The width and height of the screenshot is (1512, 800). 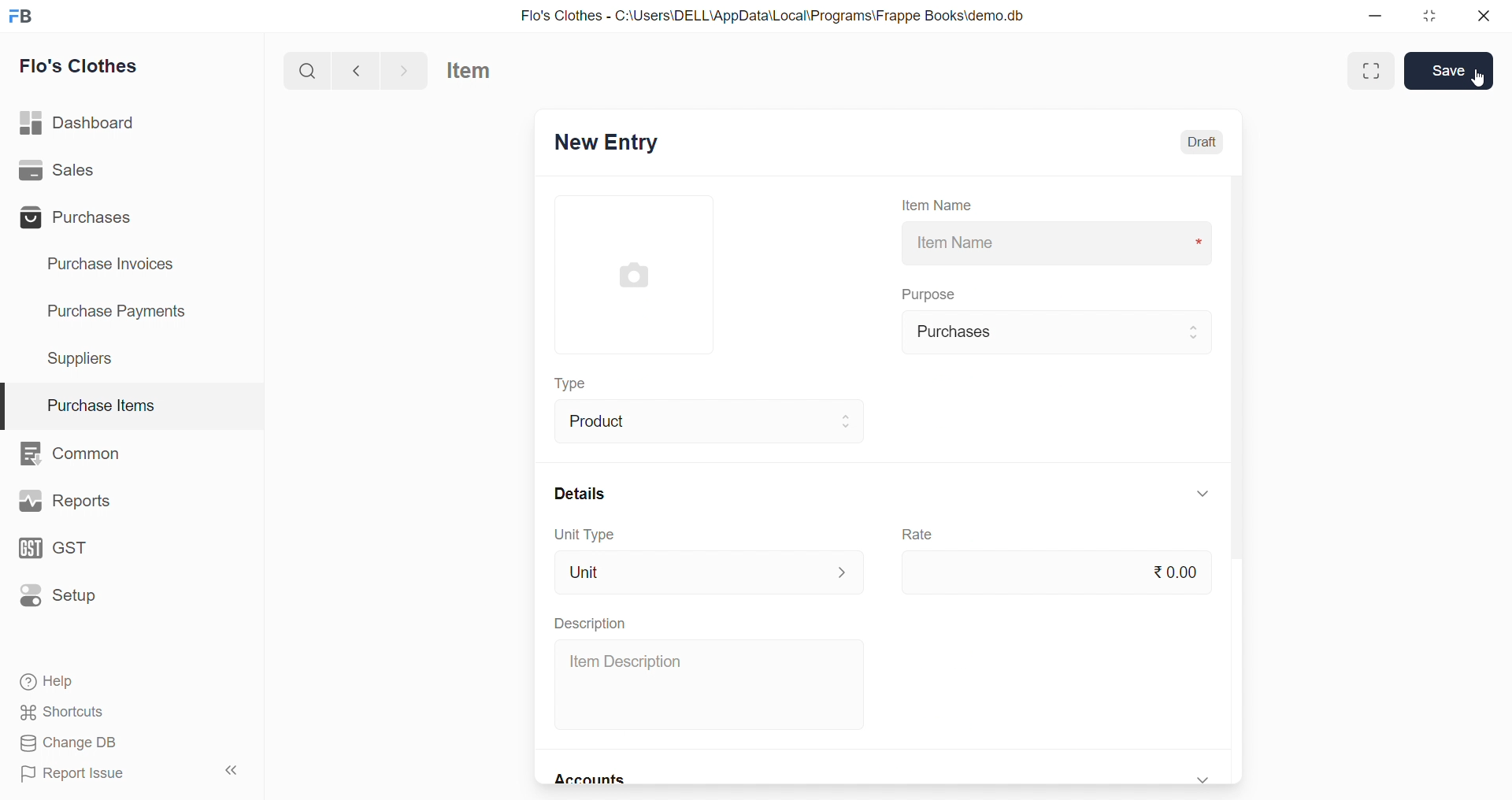 What do you see at coordinates (1058, 245) in the screenshot?
I see `Item Name` at bounding box center [1058, 245].